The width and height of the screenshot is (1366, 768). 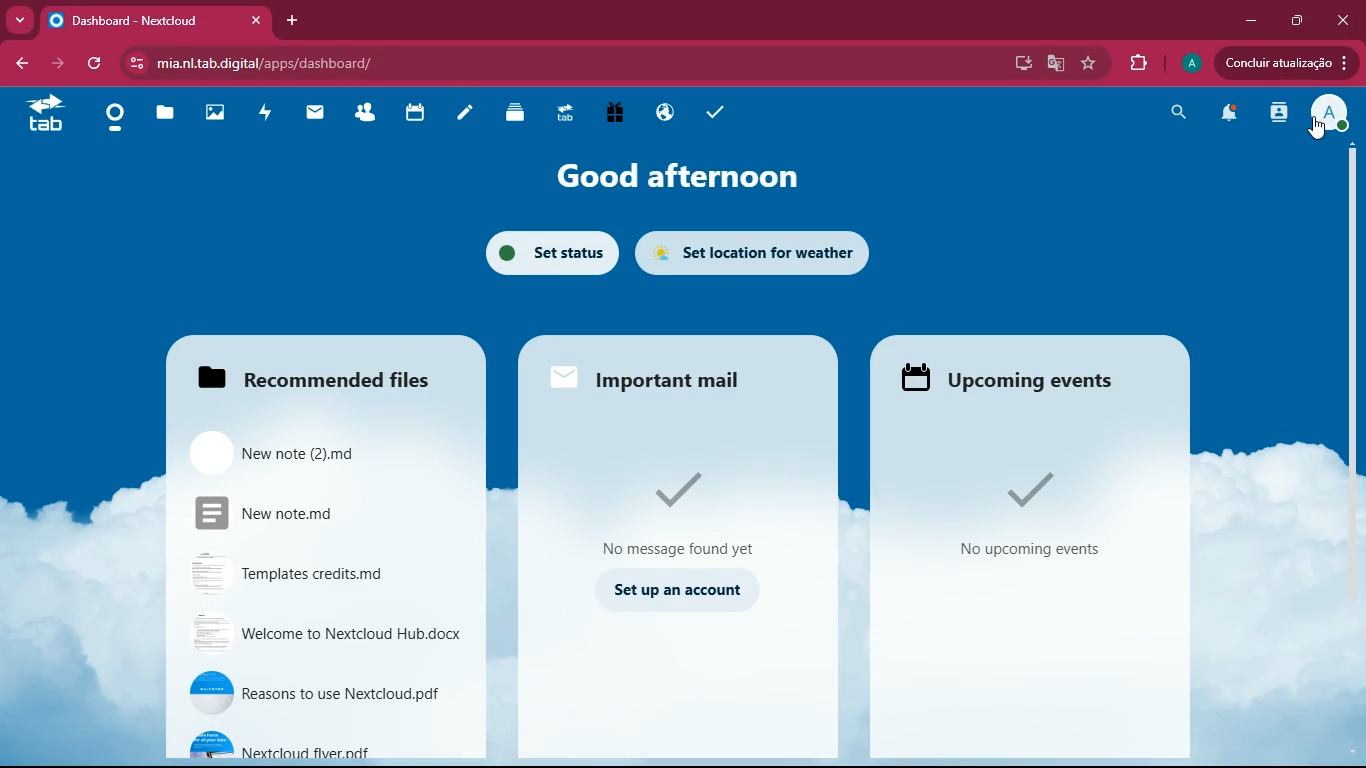 I want to click on notifications, so click(x=1227, y=116).